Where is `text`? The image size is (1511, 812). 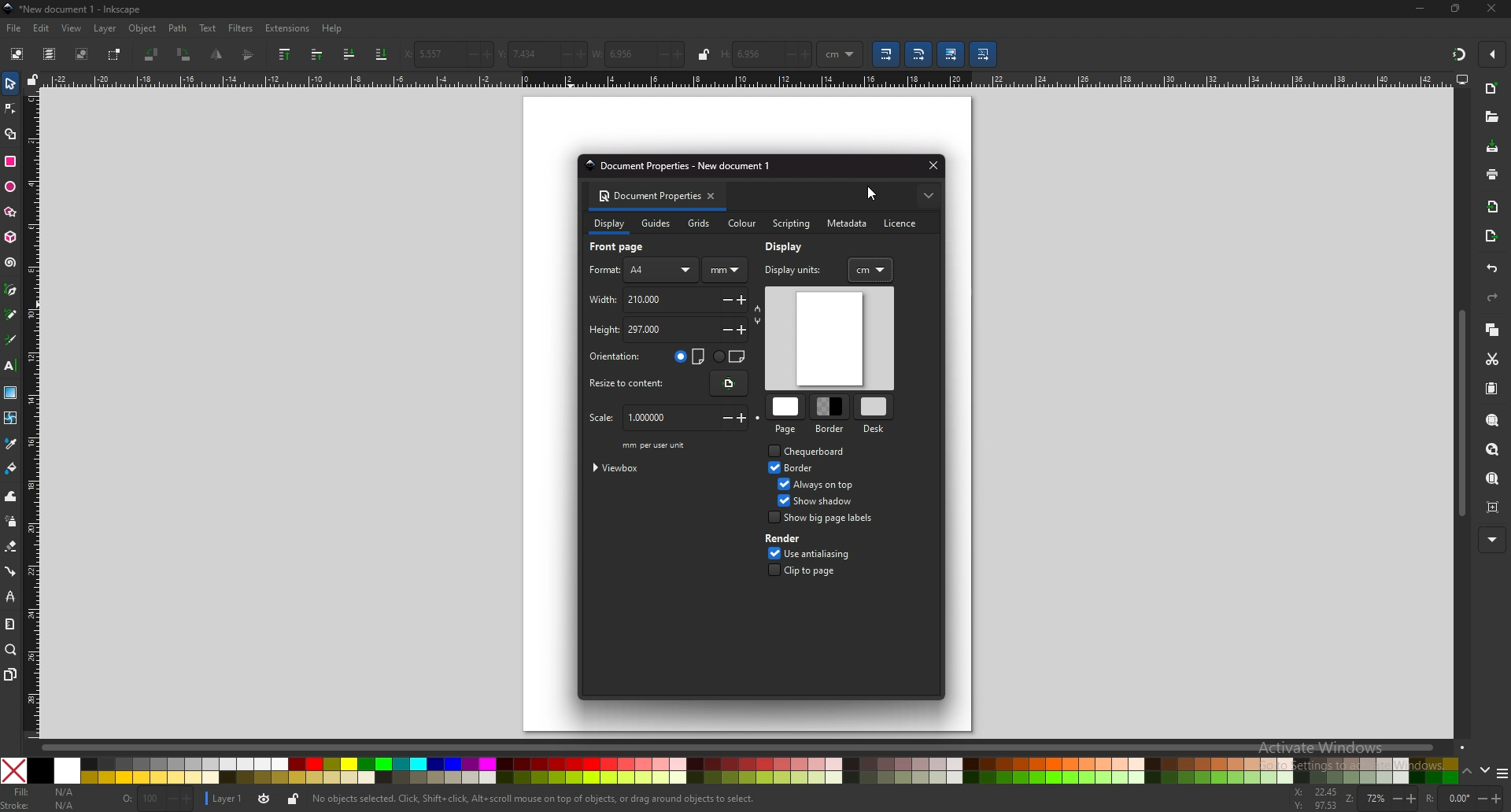
text is located at coordinates (209, 28).